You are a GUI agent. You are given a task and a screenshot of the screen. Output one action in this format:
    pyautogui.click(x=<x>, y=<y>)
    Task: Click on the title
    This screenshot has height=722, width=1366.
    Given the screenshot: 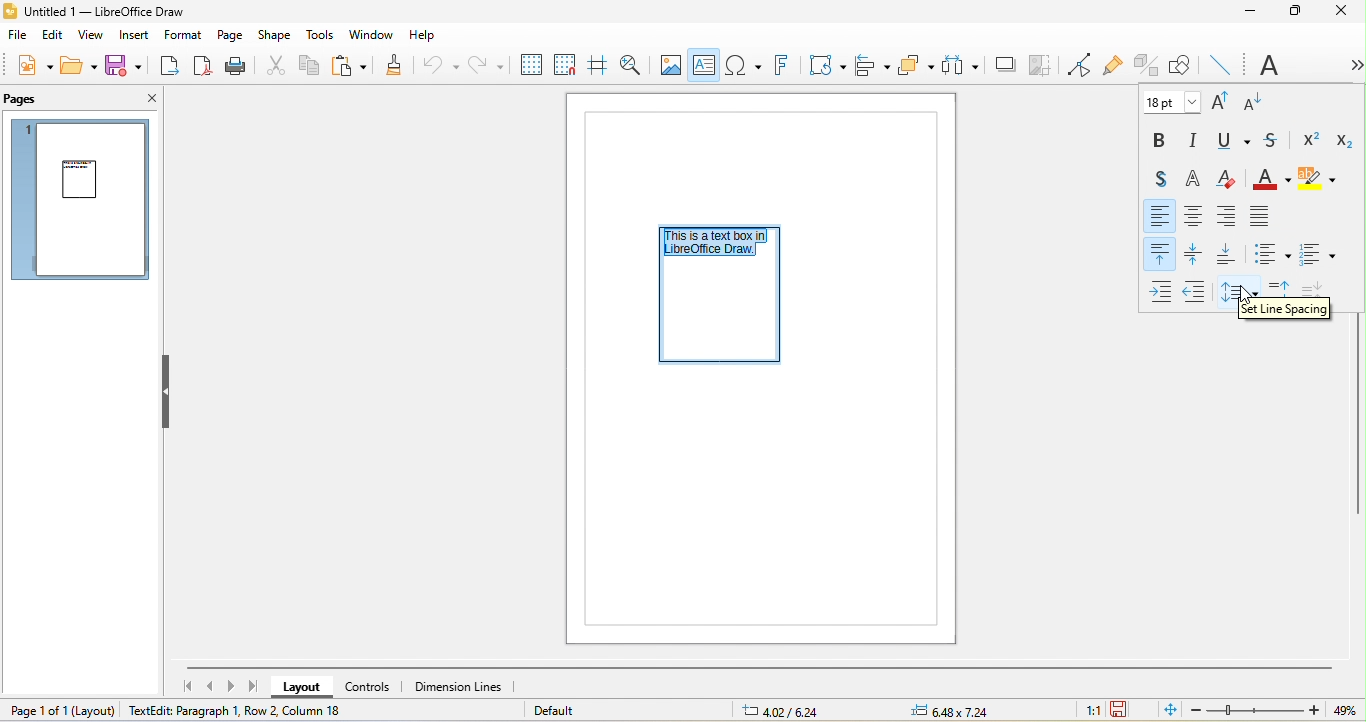 What is the action you would take?
    pyautogui.click(x=107, y=12)
    